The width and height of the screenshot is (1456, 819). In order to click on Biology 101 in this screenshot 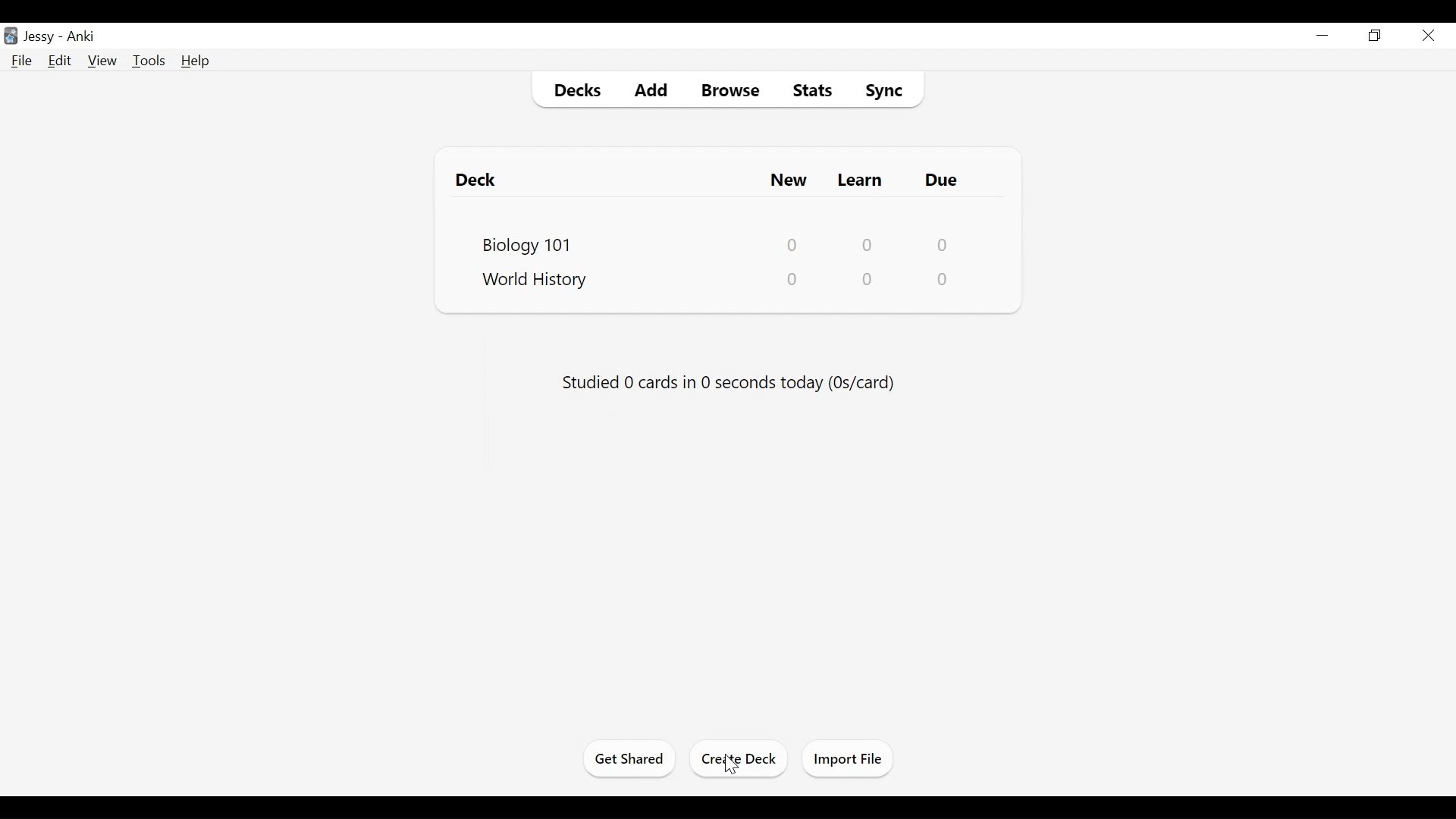, I will do `click(526, 243)`.